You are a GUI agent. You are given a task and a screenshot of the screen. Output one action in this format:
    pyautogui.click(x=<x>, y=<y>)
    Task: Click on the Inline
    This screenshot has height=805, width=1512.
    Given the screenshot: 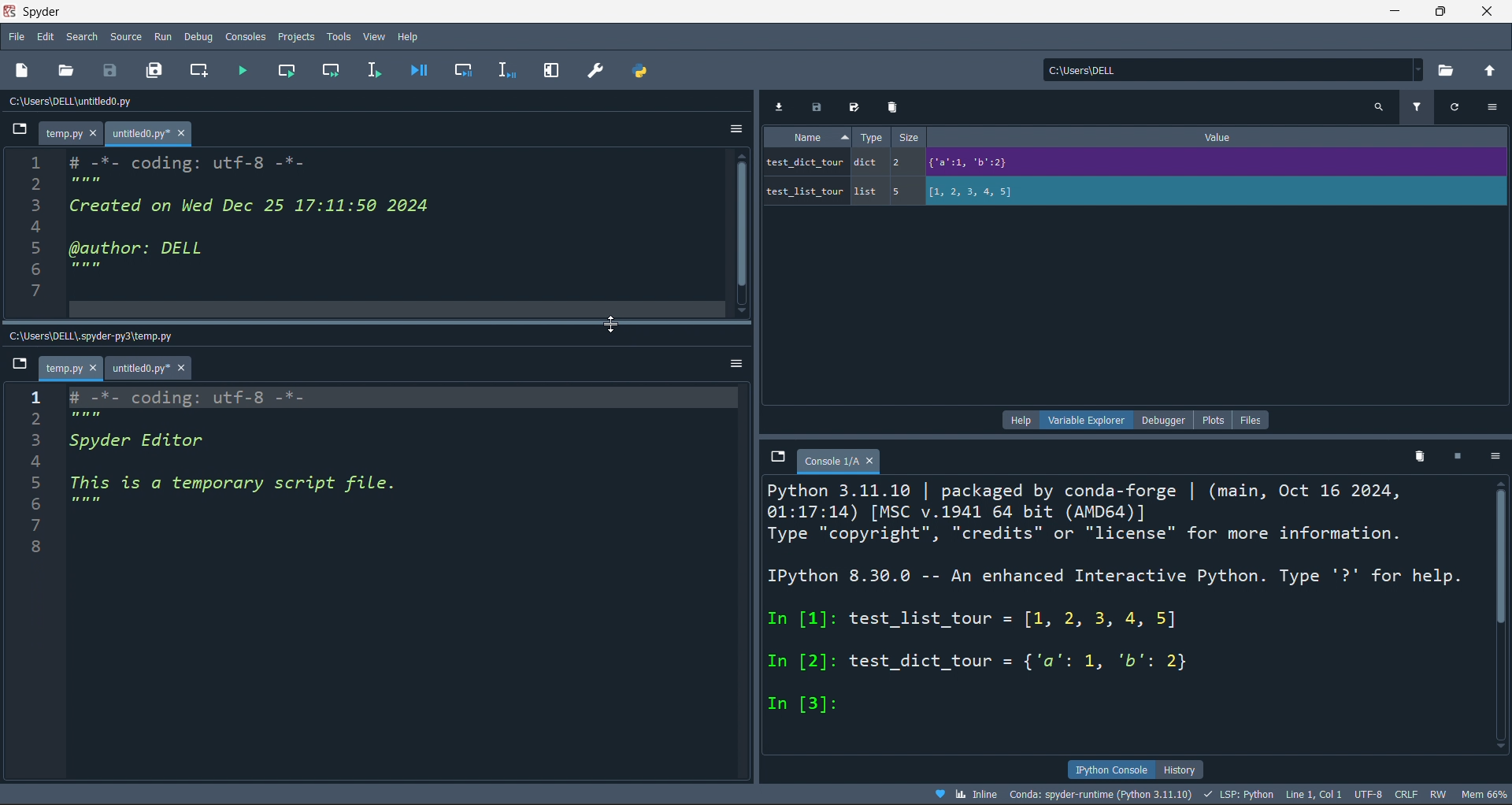 What is the action you would take?
    pyautogui.click(x=965, y=794)
    